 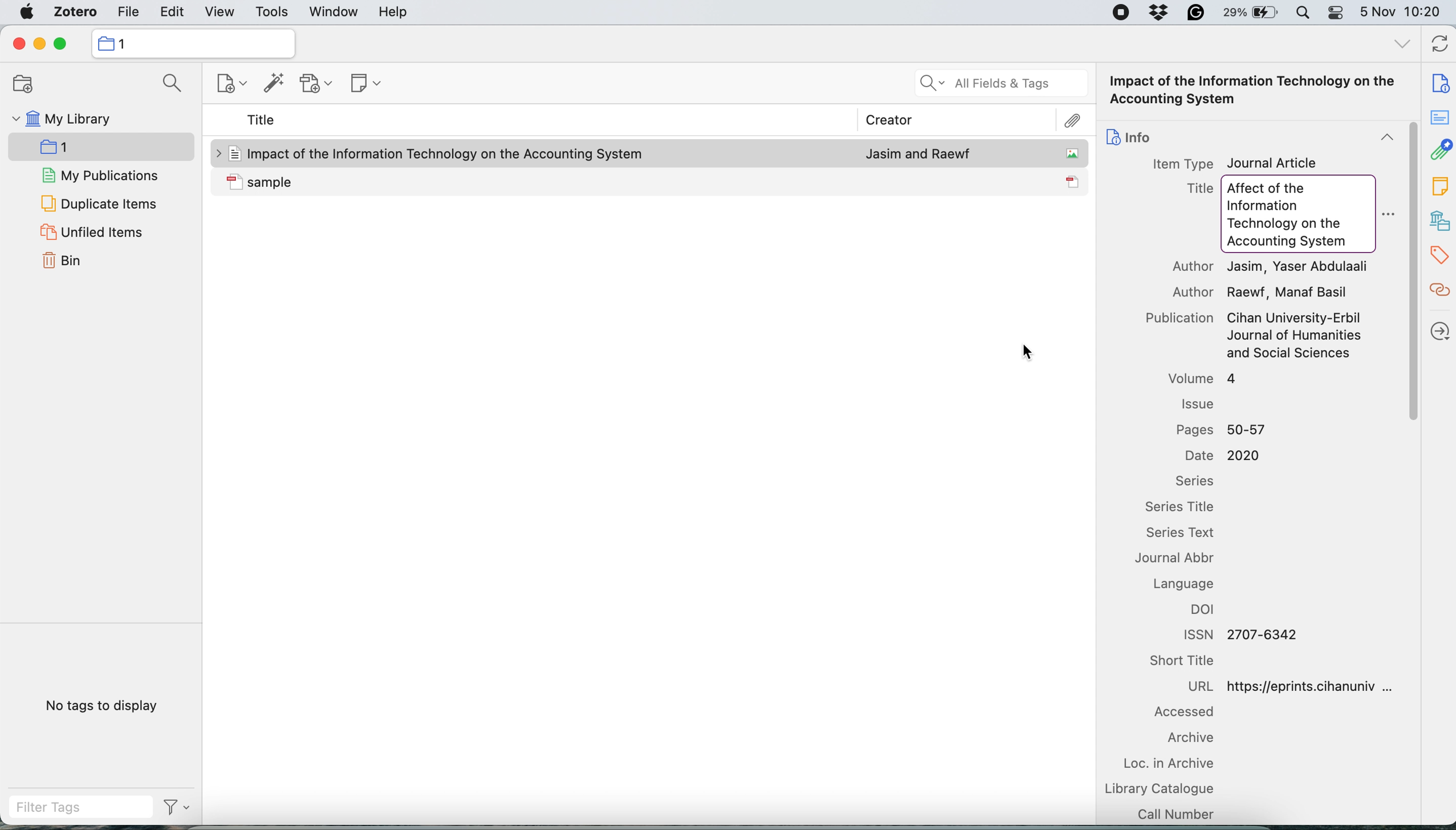 I want to click on of the, so click(x=1289, y=189).